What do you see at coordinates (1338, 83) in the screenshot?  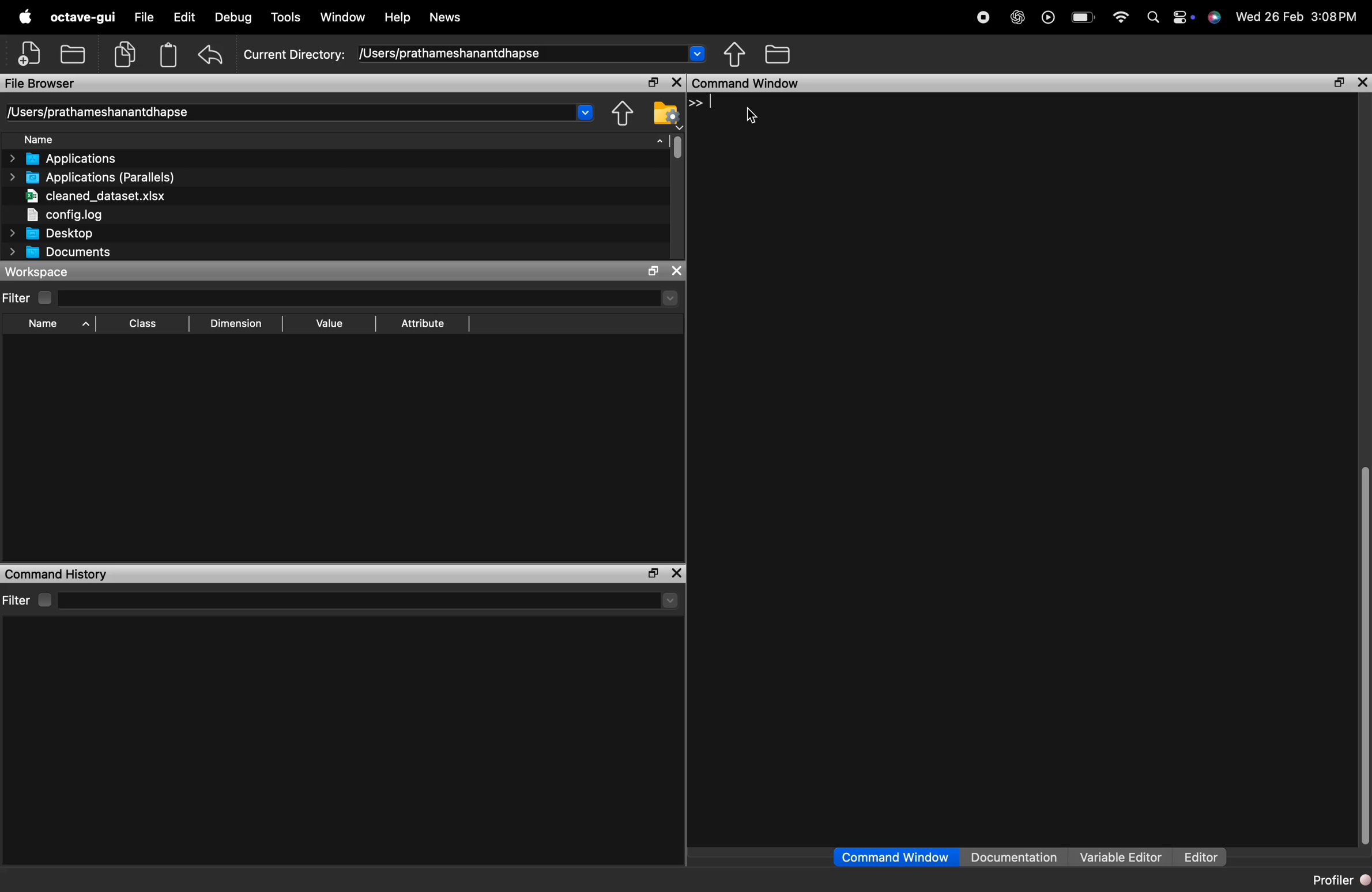 I see `maximize` at bounding box center [1338, 83].